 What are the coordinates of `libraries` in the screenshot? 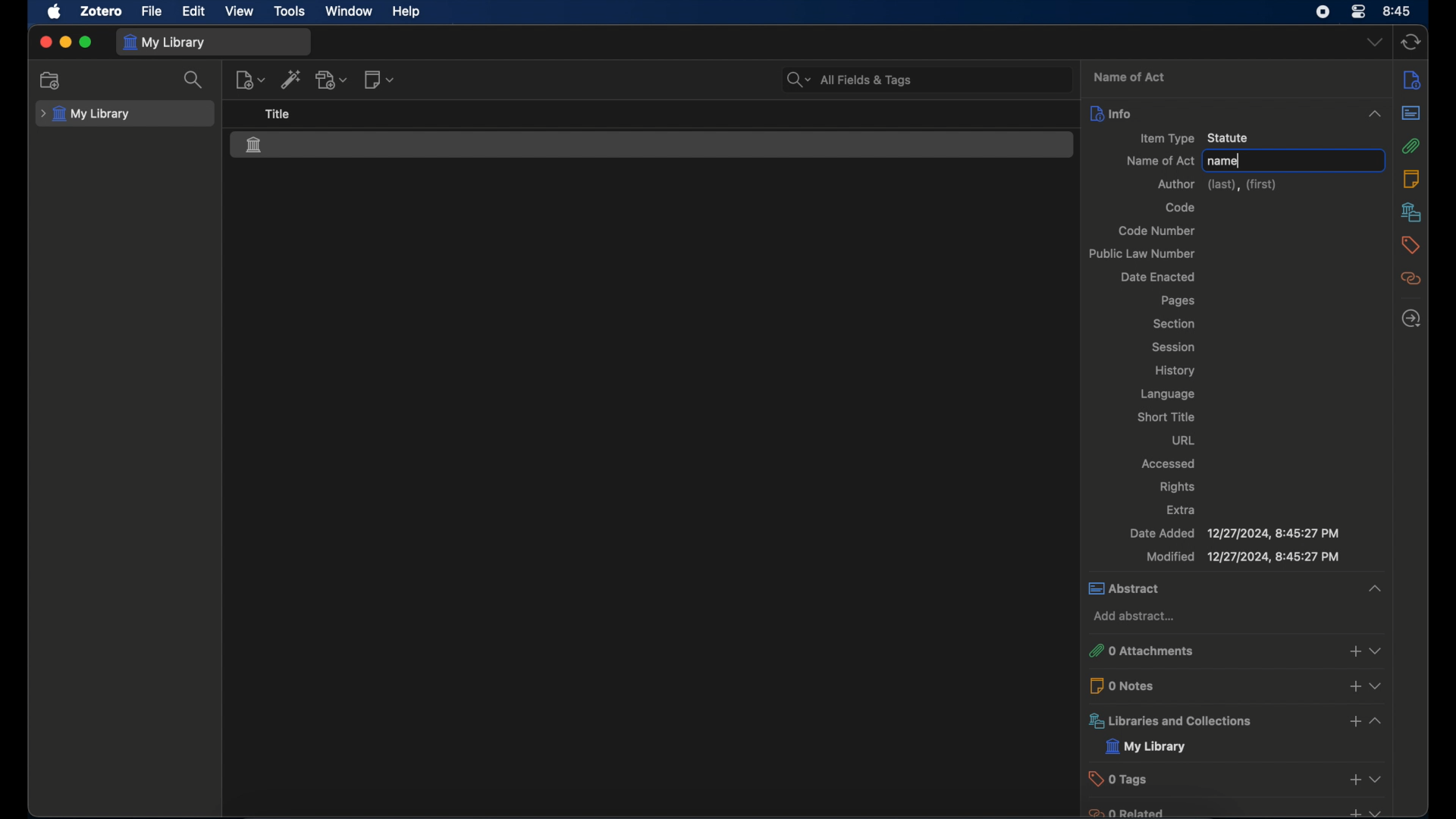 It's located at (1410, 212).